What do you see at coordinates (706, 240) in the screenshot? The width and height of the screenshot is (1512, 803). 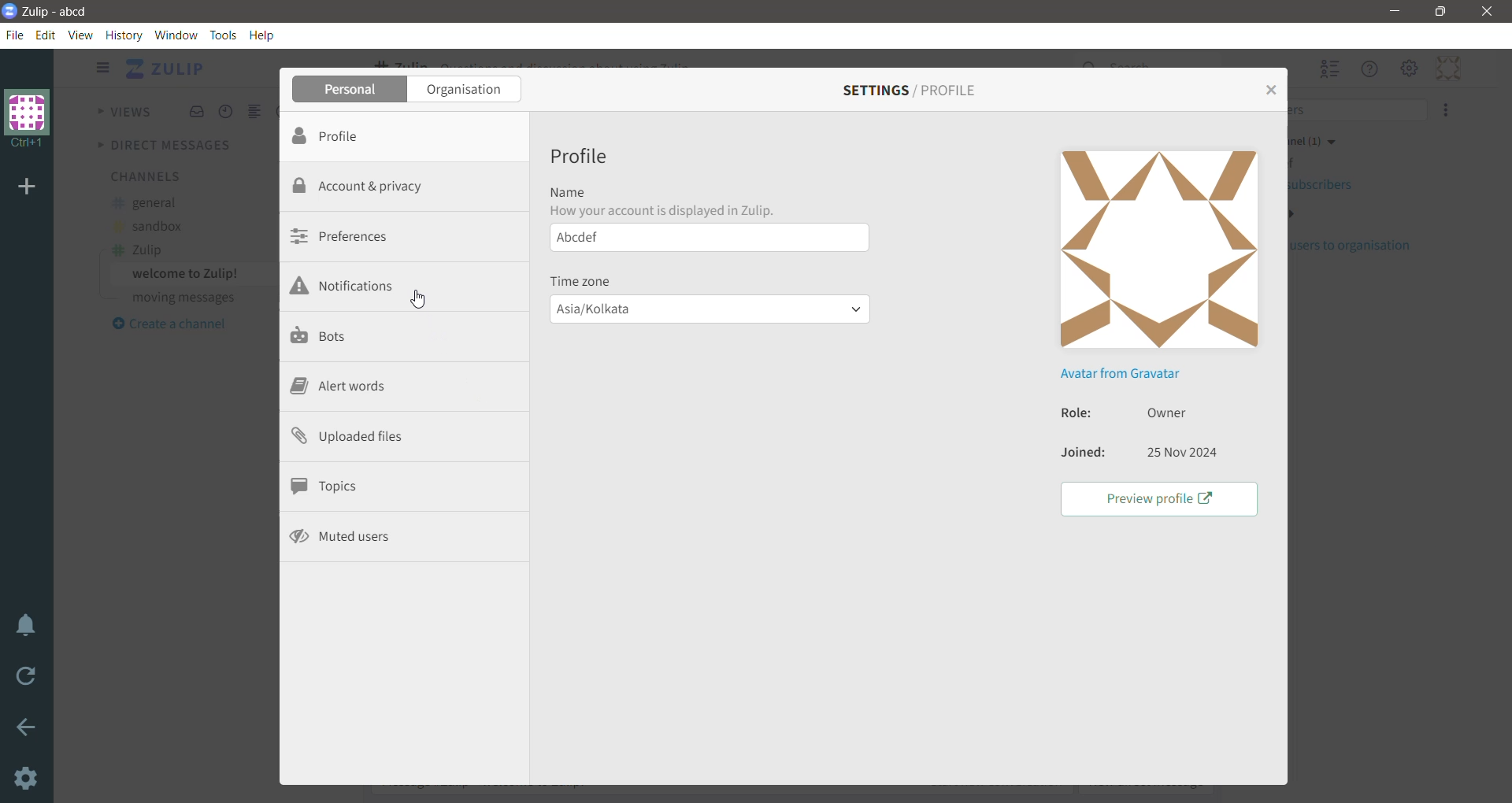 I see `Abcdef(Login user name)` at bounding box center [706, 240].